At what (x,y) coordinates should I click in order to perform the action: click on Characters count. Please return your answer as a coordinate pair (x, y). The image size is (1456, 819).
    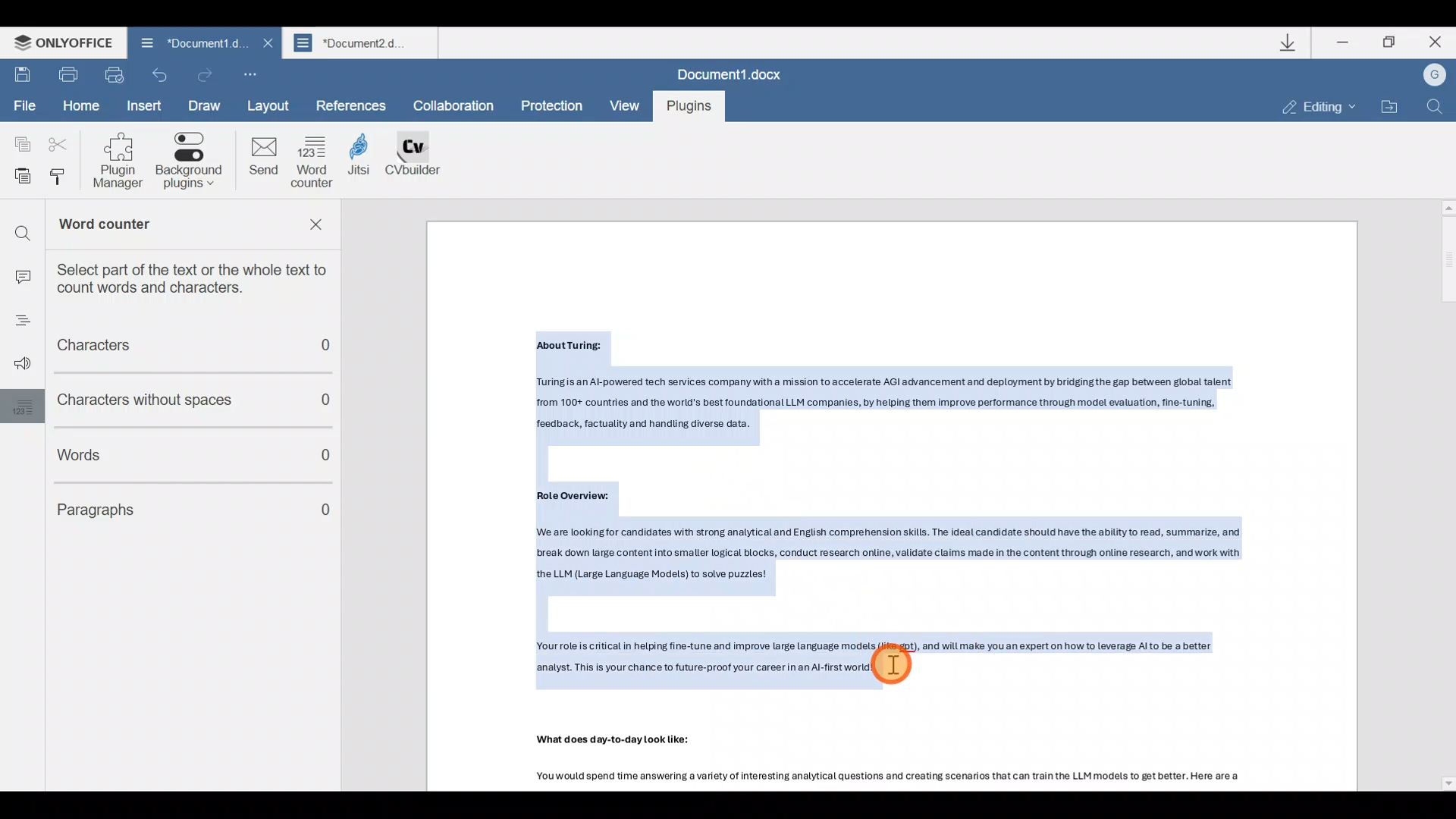
    Looking at the image, I should click on (183, 347).